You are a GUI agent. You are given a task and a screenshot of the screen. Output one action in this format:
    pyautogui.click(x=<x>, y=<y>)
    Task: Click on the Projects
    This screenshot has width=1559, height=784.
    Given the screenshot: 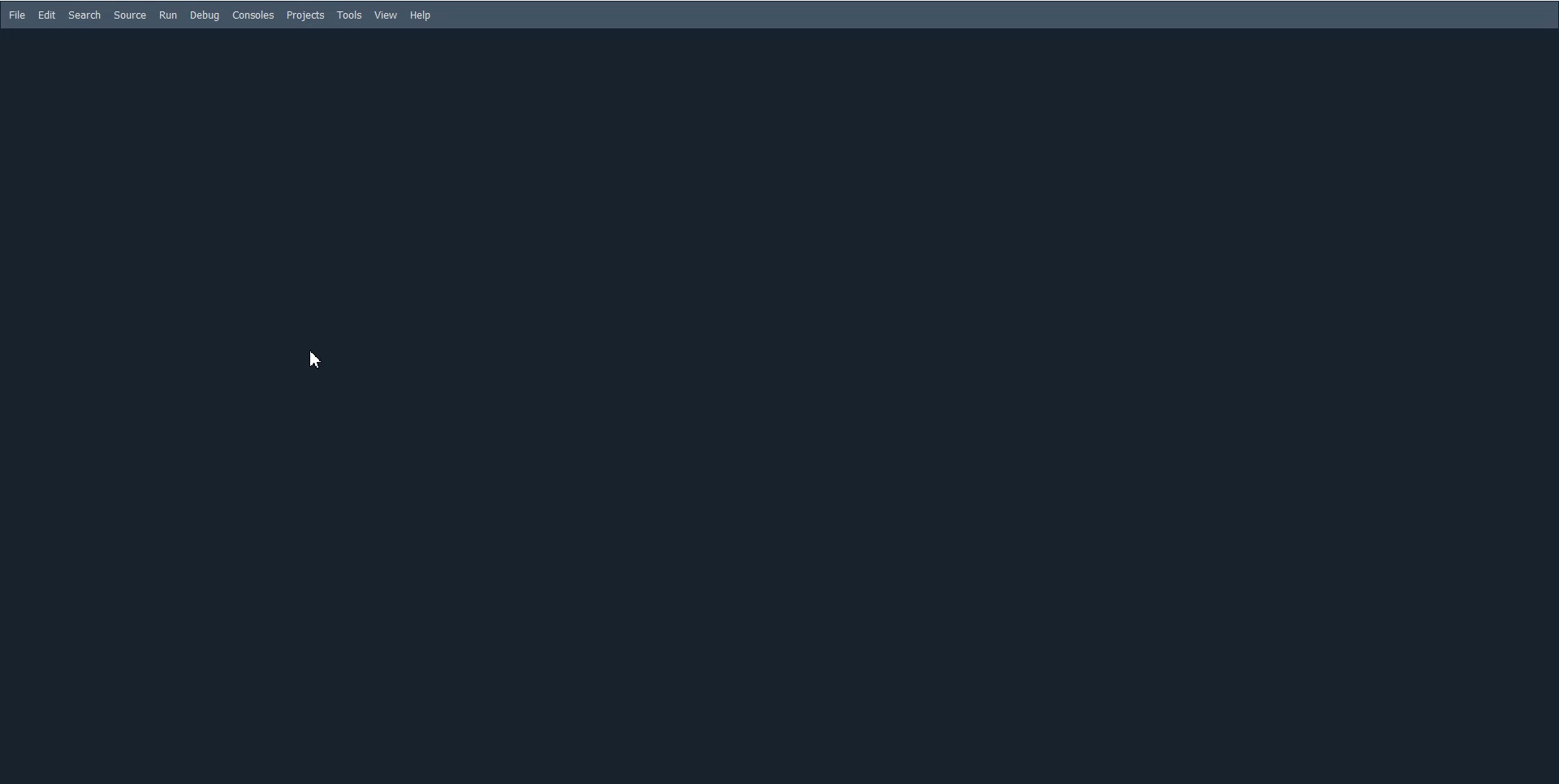 What is the action you would take?
    pyautogui.click(x=305, y=15)
    